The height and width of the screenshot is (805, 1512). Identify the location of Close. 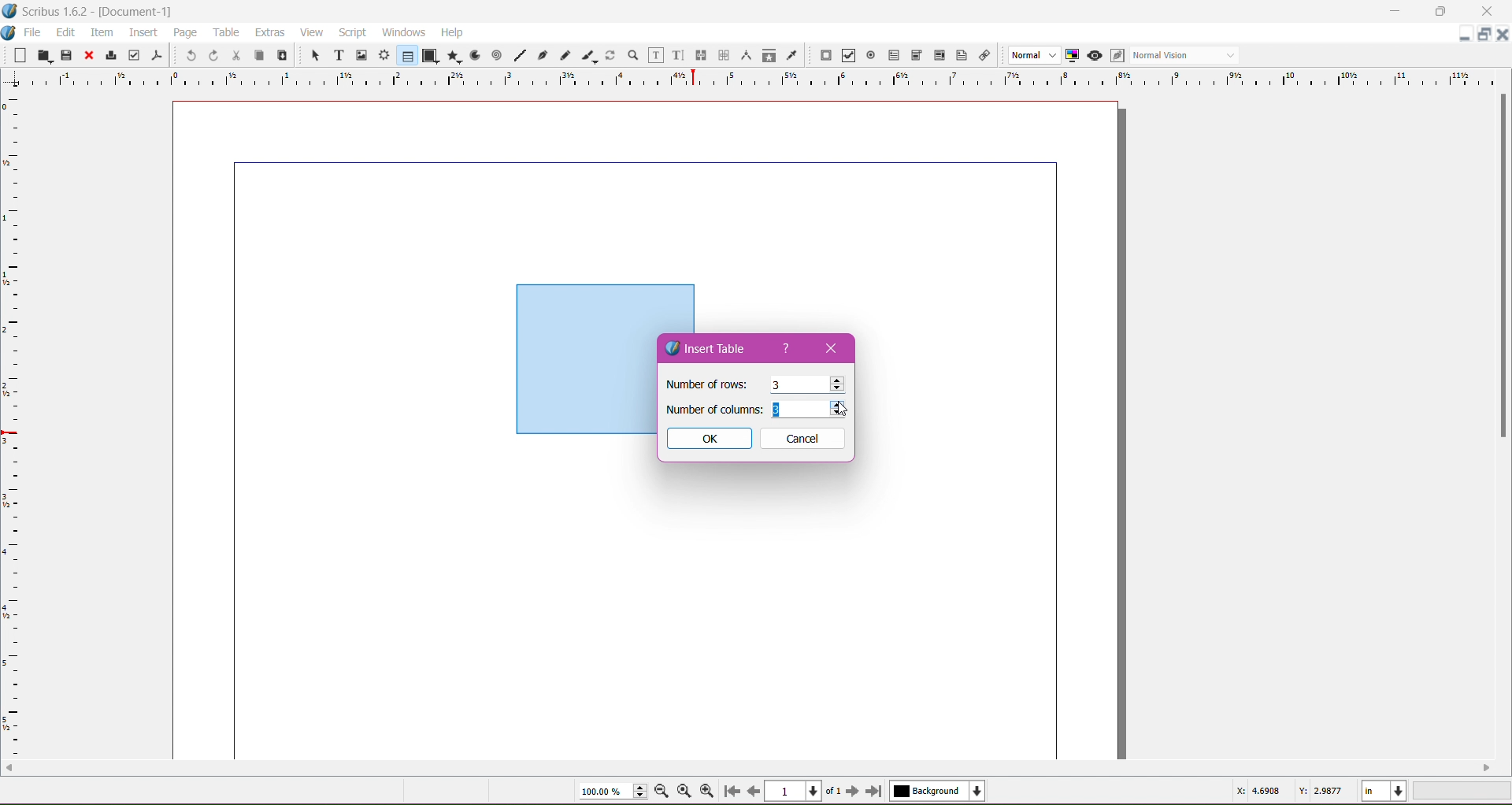
(87, 56).